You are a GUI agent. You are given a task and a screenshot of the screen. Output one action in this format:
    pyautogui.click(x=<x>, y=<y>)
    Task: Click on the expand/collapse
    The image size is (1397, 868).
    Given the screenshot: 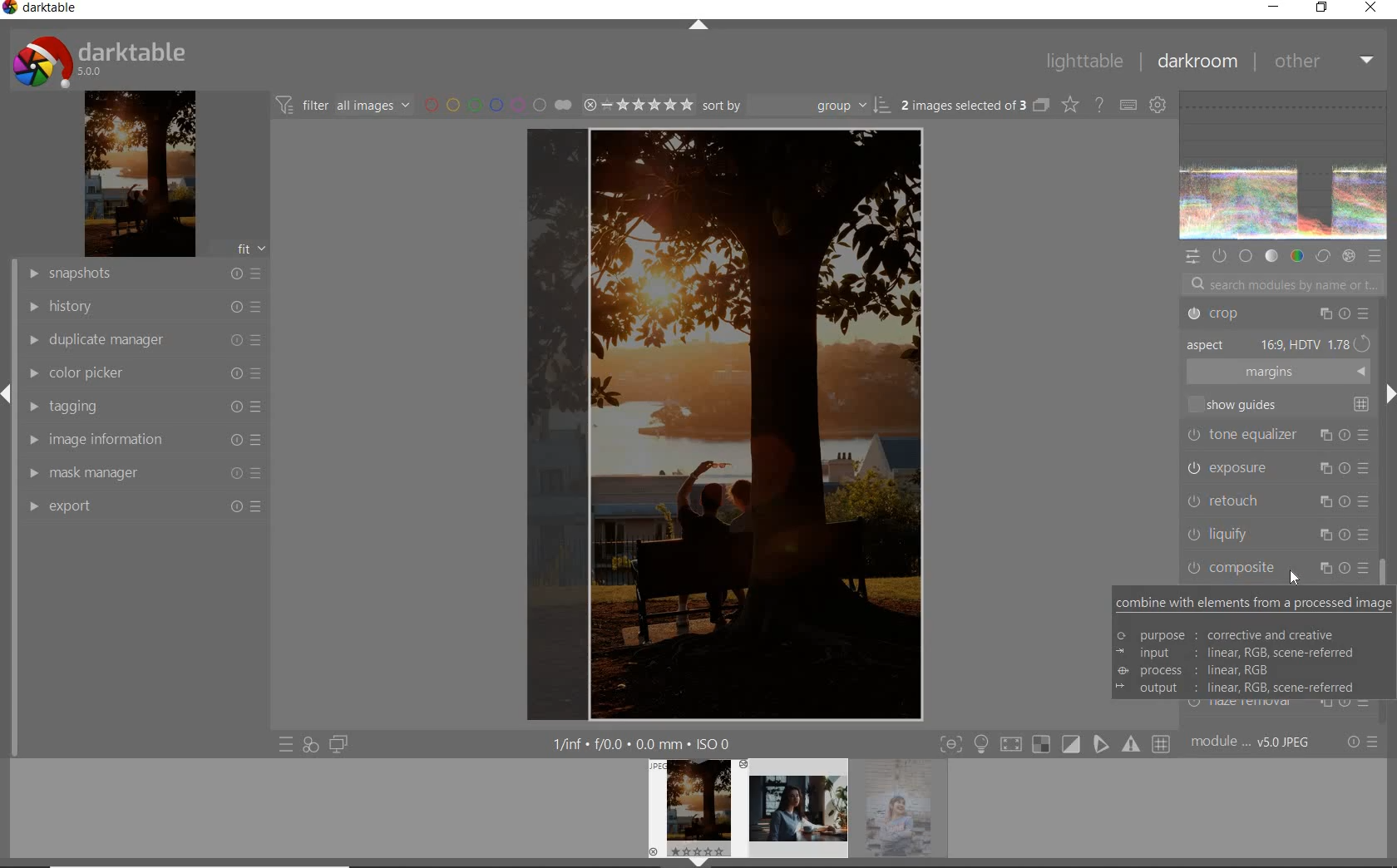 What is the action you would take?
    pyautogui.click(x=703, y=862)
    